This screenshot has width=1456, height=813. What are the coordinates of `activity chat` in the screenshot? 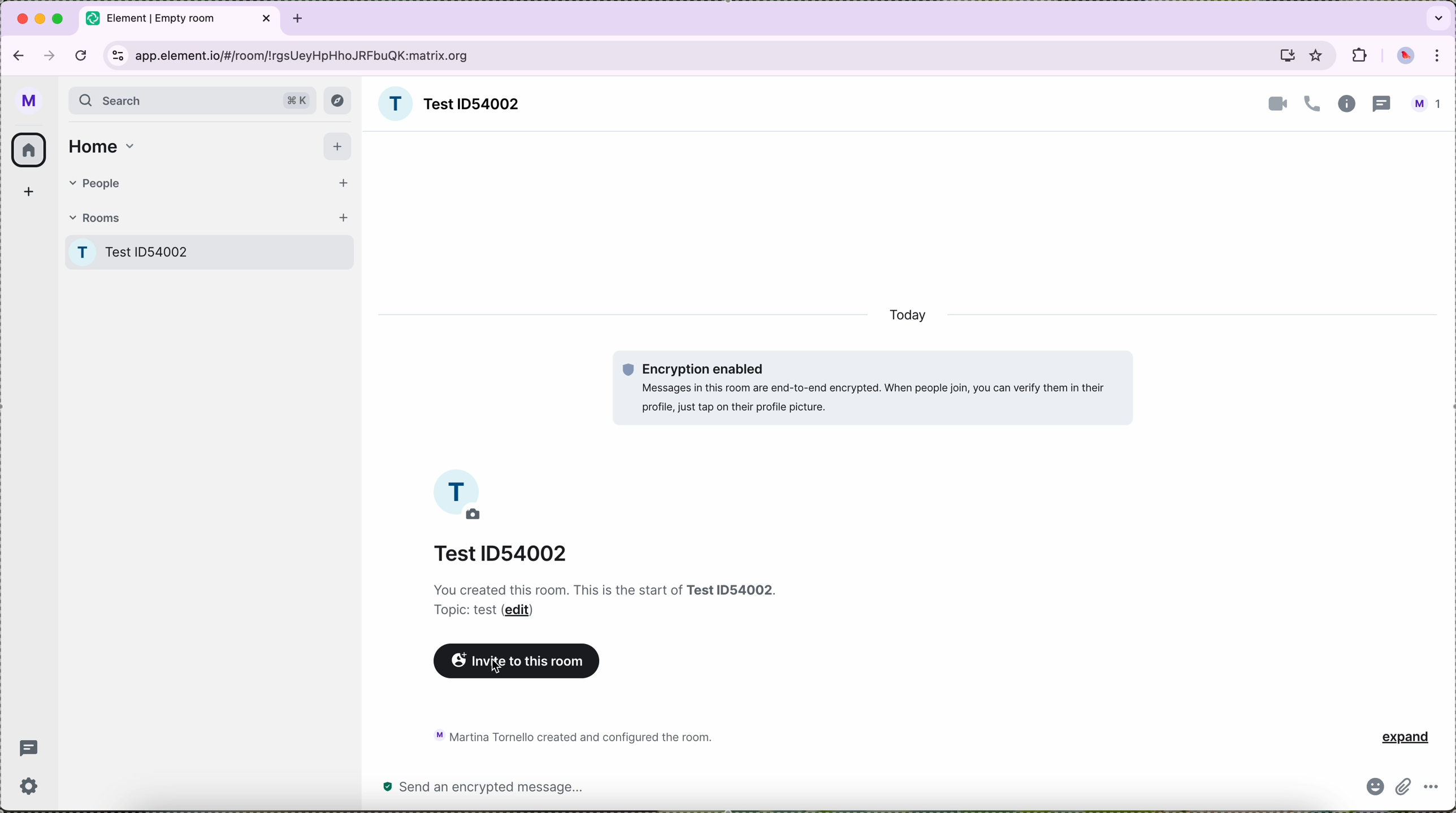 It's located at (579, 736).